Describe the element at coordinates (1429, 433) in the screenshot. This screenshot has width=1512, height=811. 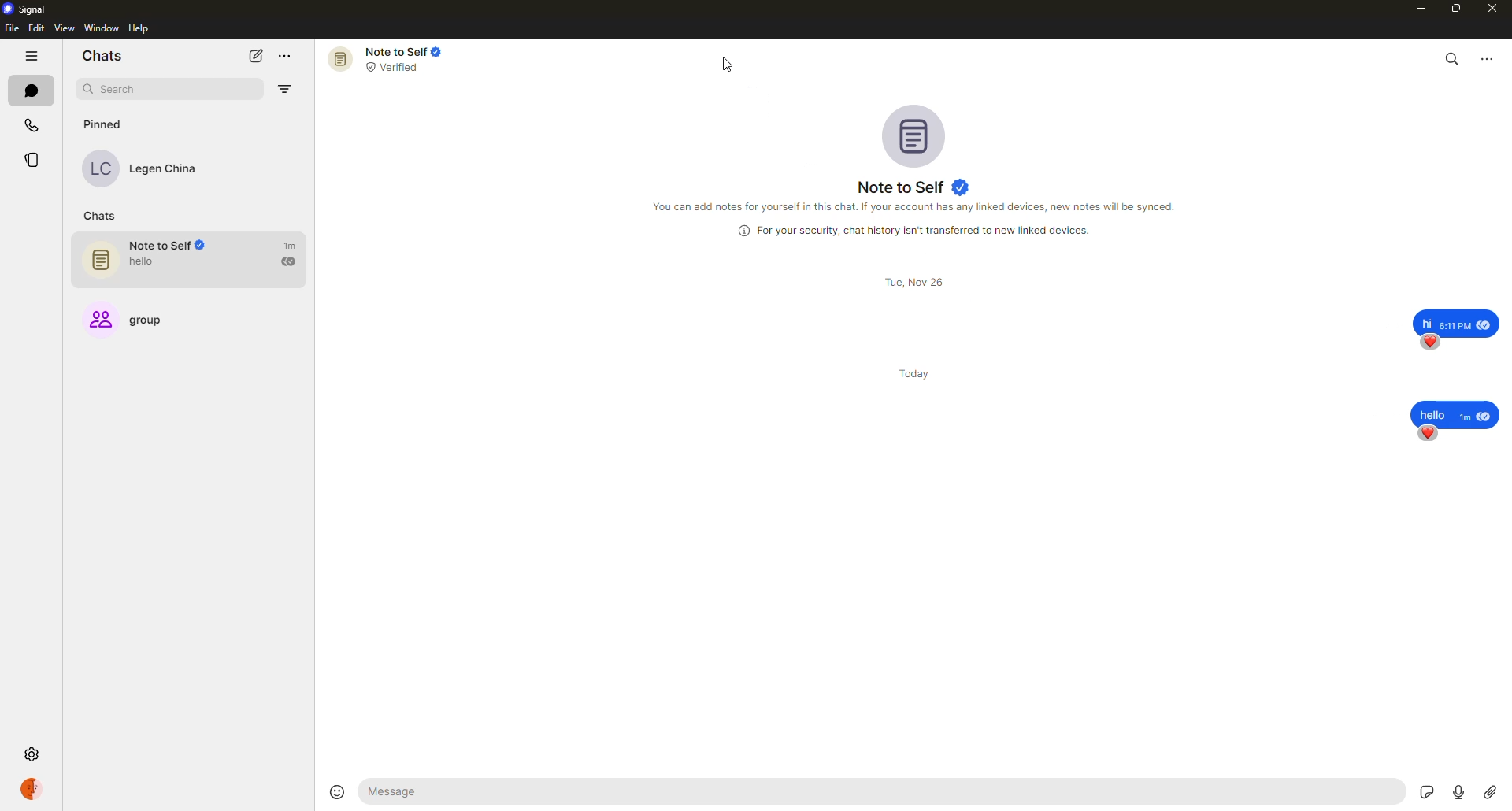
I see `love reaction` at that location.